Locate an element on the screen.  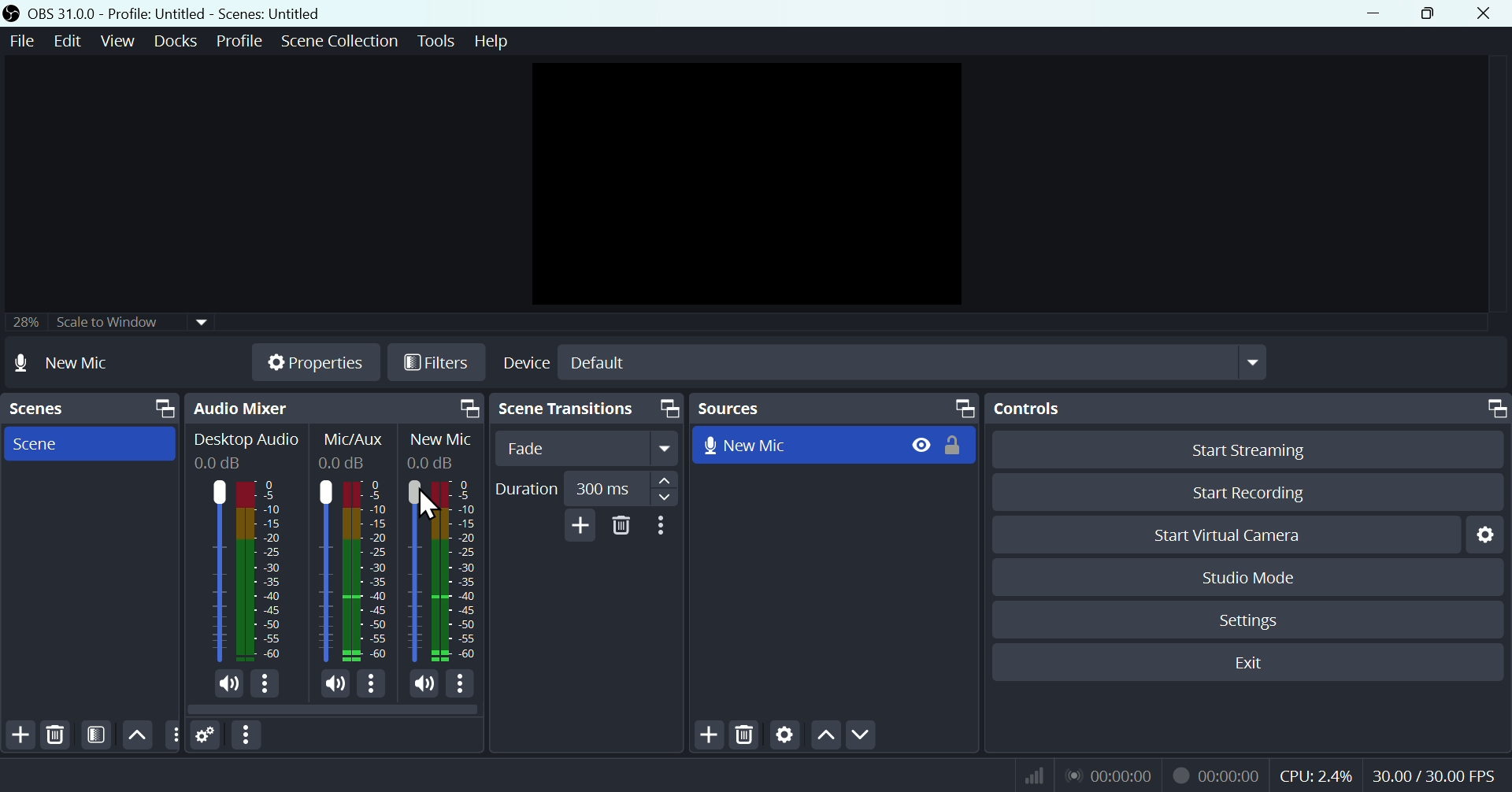
Tools is located at coordinates (439, 41).